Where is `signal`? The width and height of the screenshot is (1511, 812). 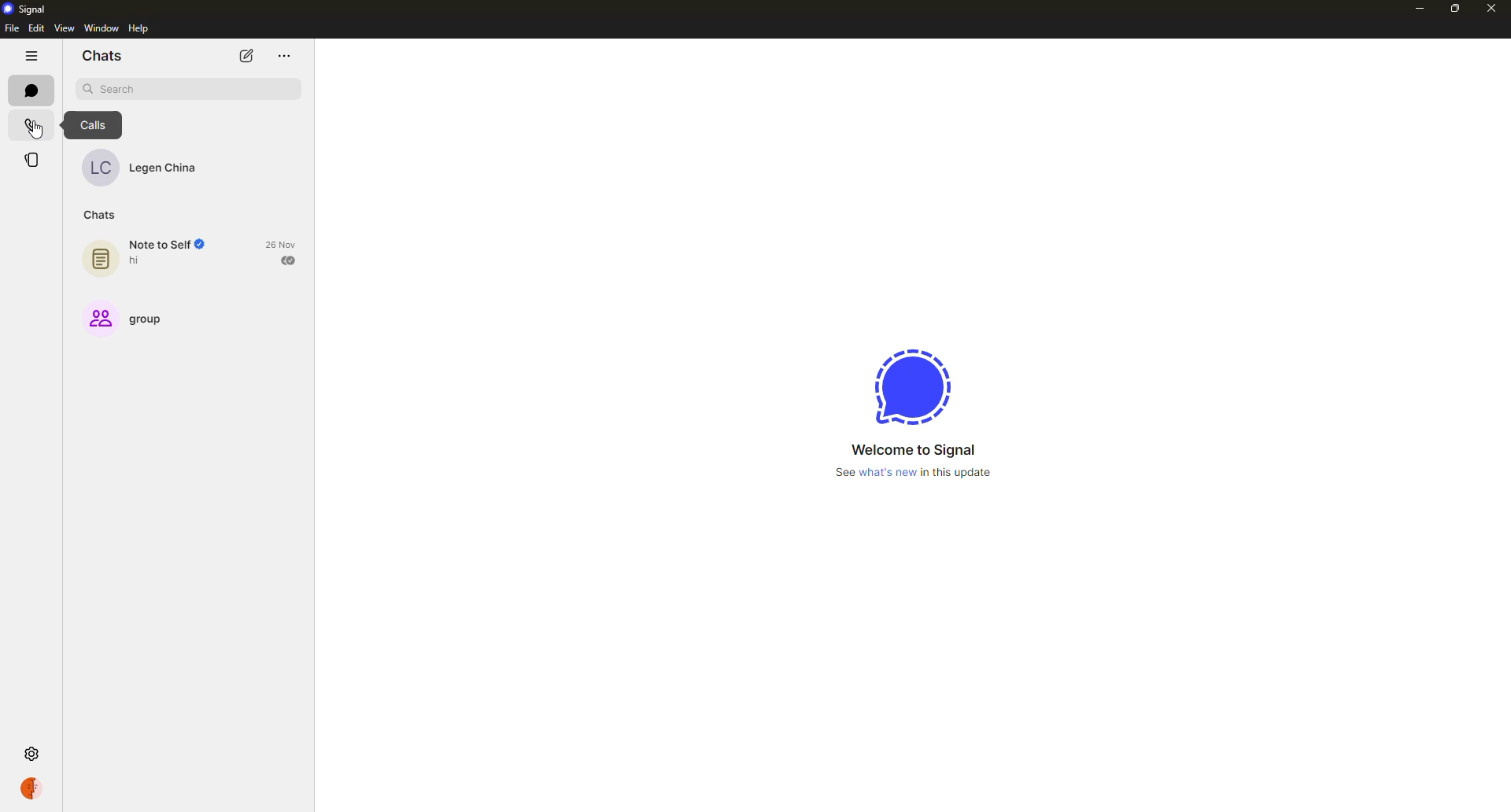 signal is located at coordinates (914, 384).